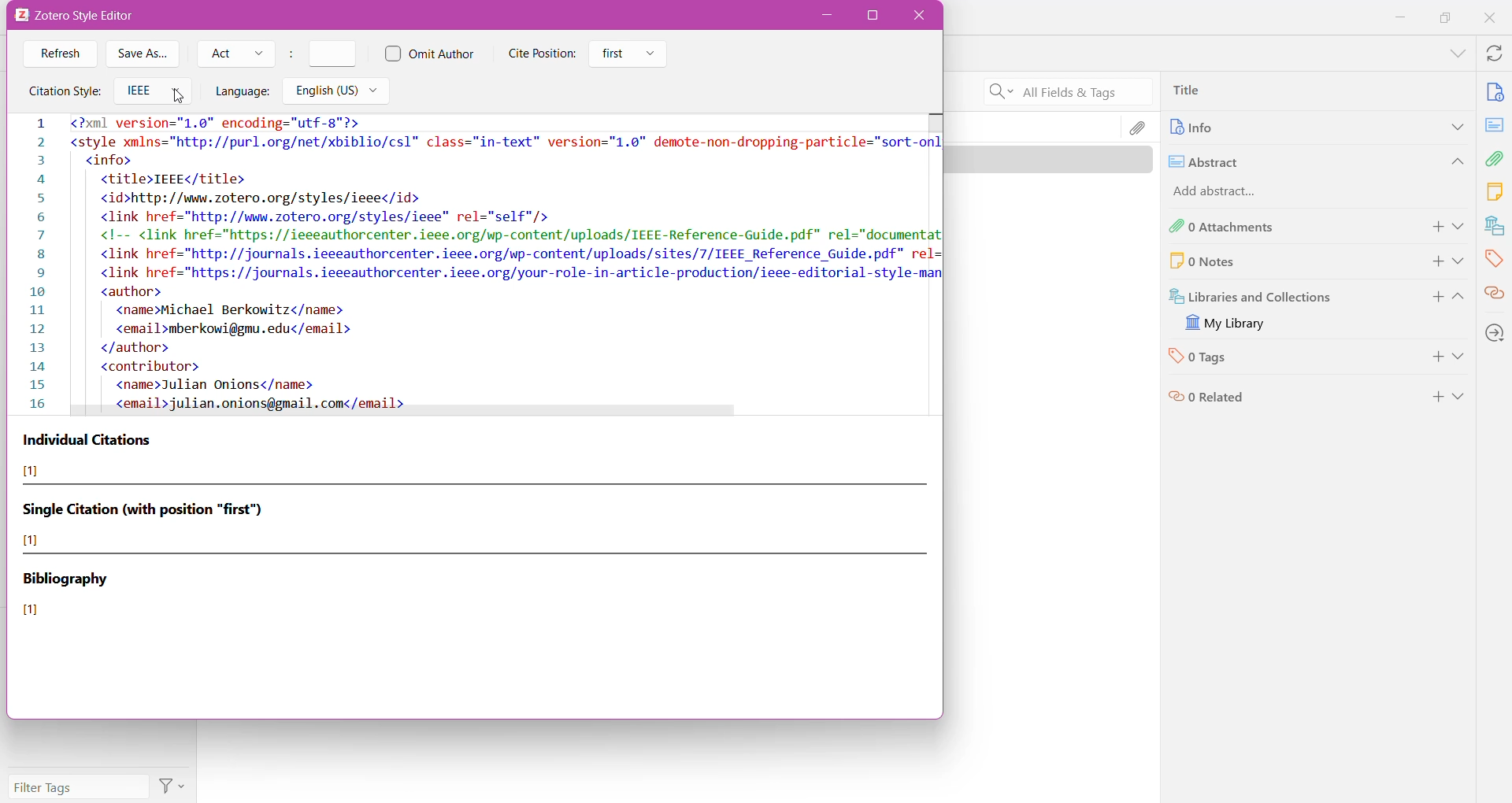 The width and height of the screenshot is (1512, 803). What do you see at coordinates (152, 92) in the screenshot?
I see `Select Citation Style from the list` at bounding box center [152, 92].